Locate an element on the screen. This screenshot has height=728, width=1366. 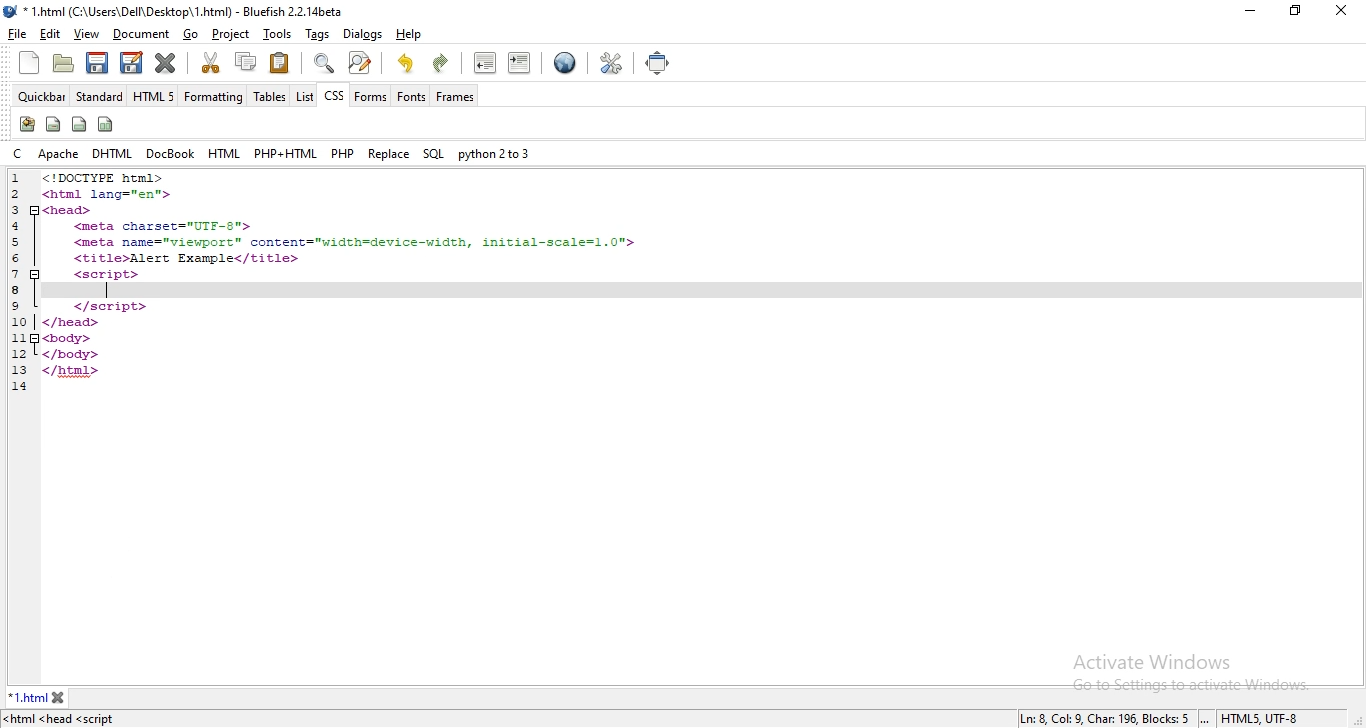
undo is located at coordinates (407, 62).